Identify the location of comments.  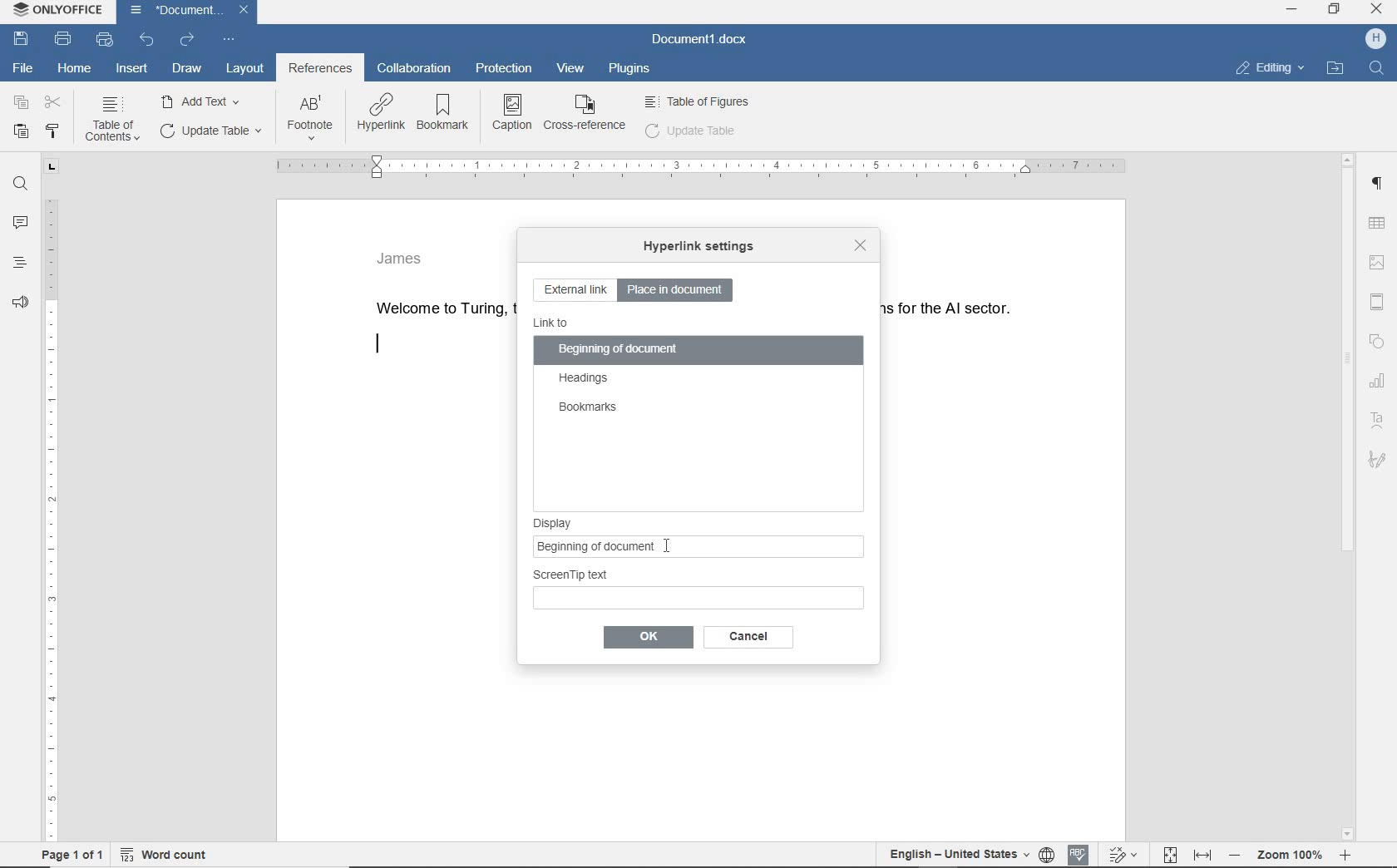
(22, 223).